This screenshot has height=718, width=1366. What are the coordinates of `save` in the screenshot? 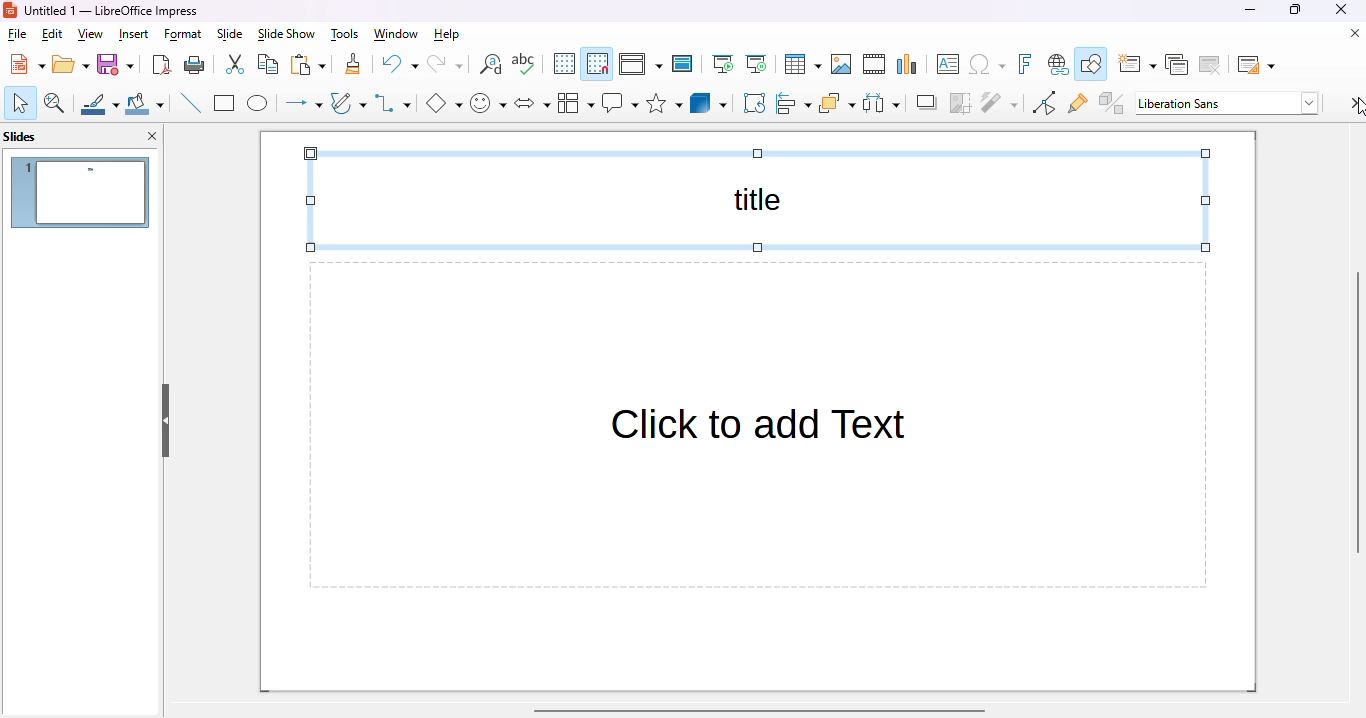 It's located at (115, 64).